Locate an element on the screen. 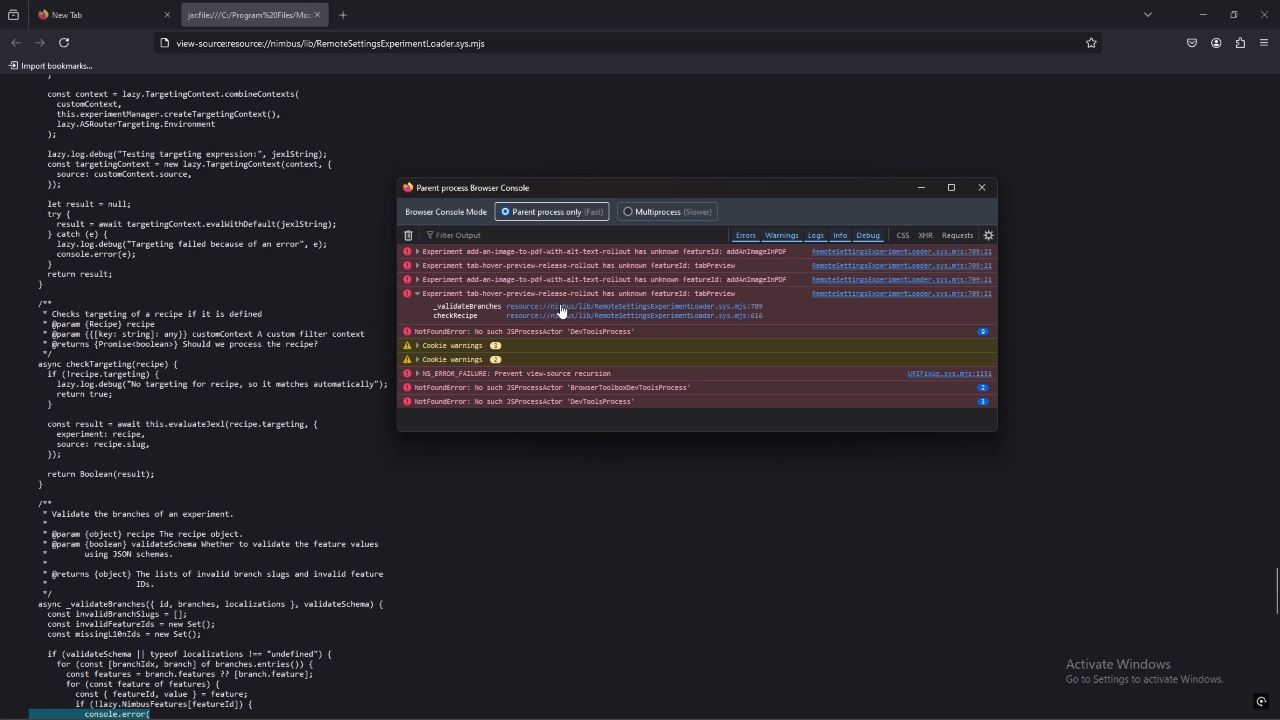  source is located at coordinates (950, 374).